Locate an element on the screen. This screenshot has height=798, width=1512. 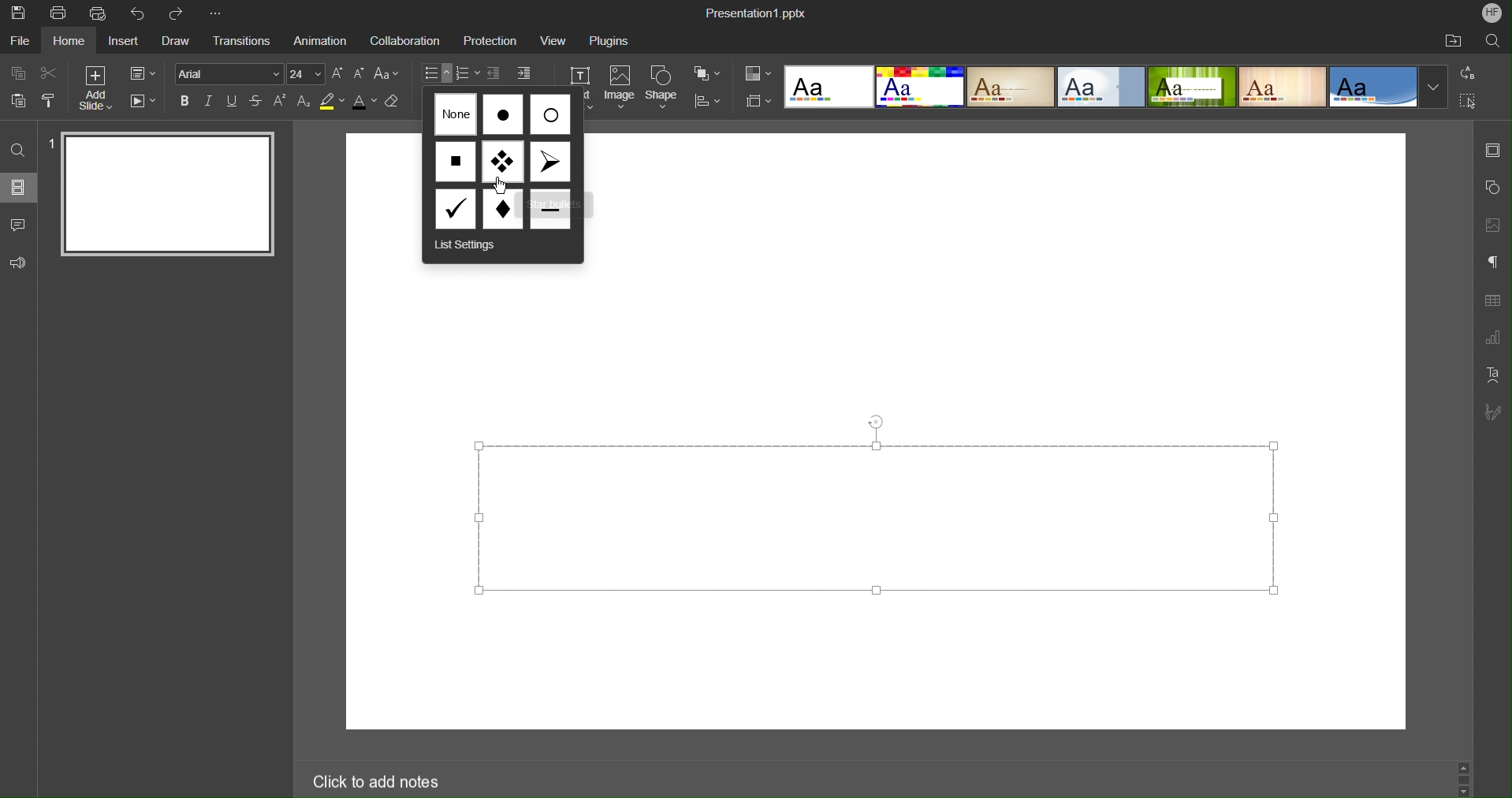
Copy is located at coordinates (16, 73).